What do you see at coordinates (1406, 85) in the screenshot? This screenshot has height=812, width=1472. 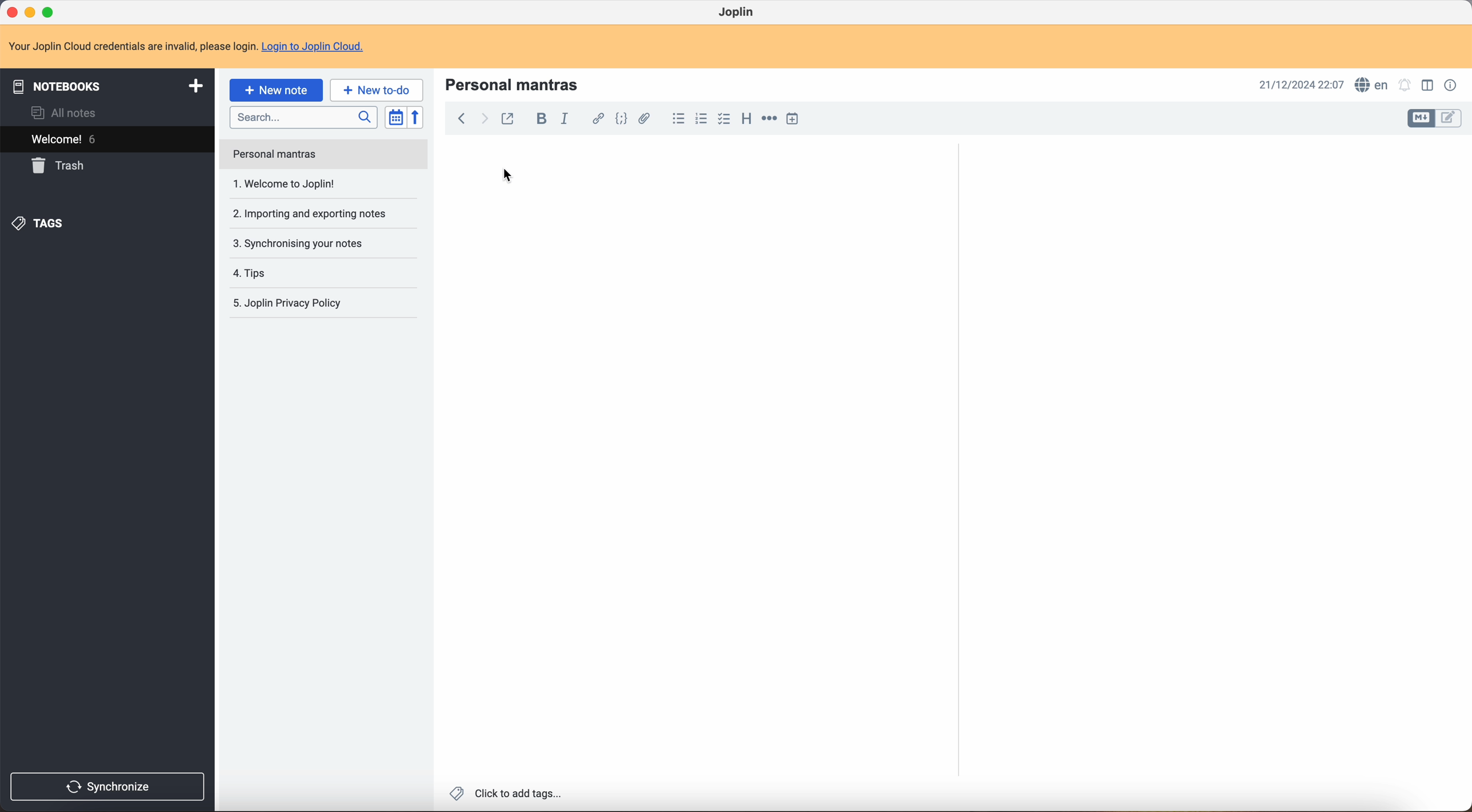 I see `set alarm` at bounding box center [1406, 85].